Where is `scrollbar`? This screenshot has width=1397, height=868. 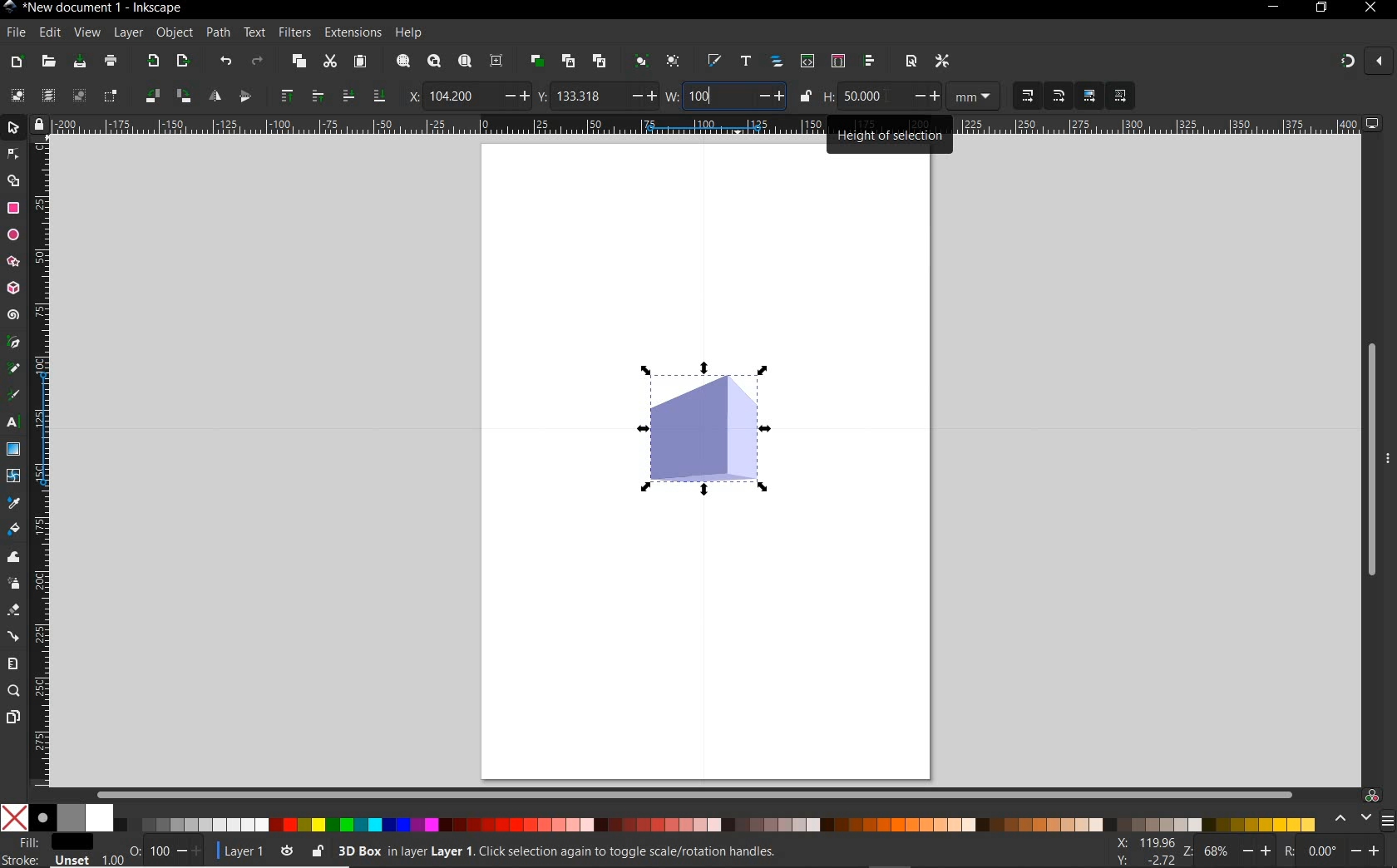
scrollbar is located at coordinates (1368, 458).